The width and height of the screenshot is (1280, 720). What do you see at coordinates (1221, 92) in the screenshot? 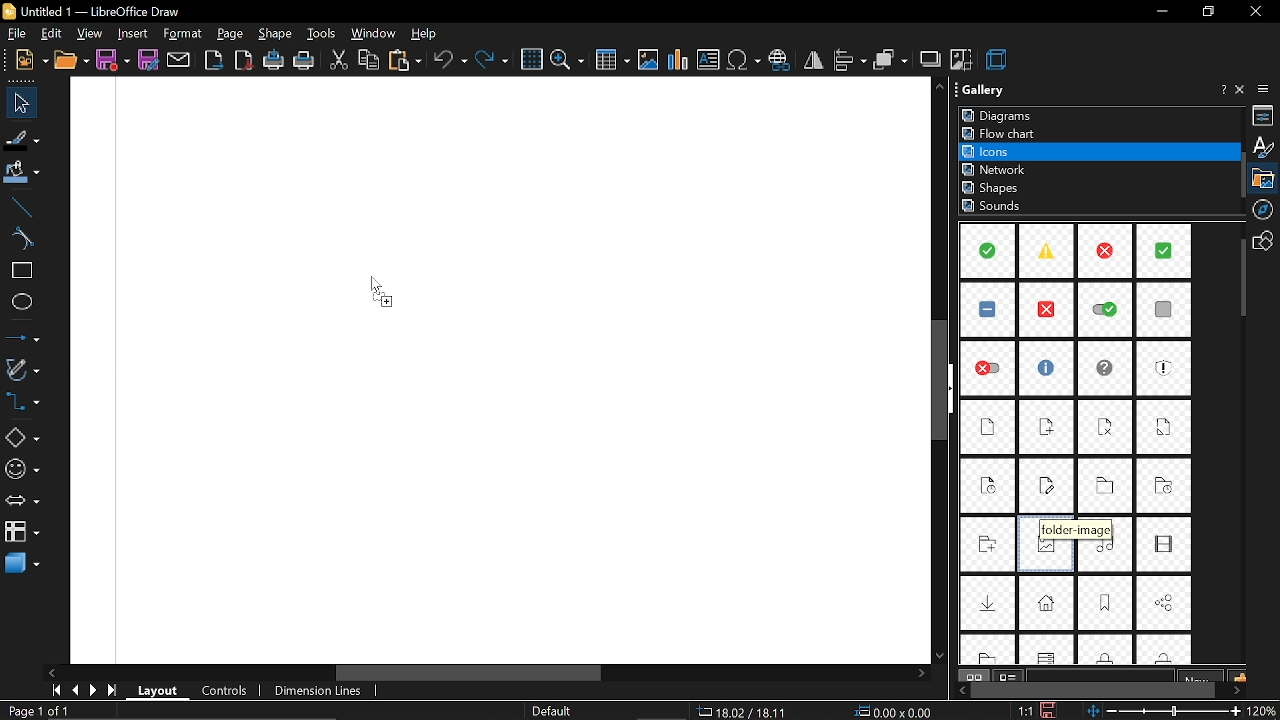
I see `help` at bounding box center [1221, 92].